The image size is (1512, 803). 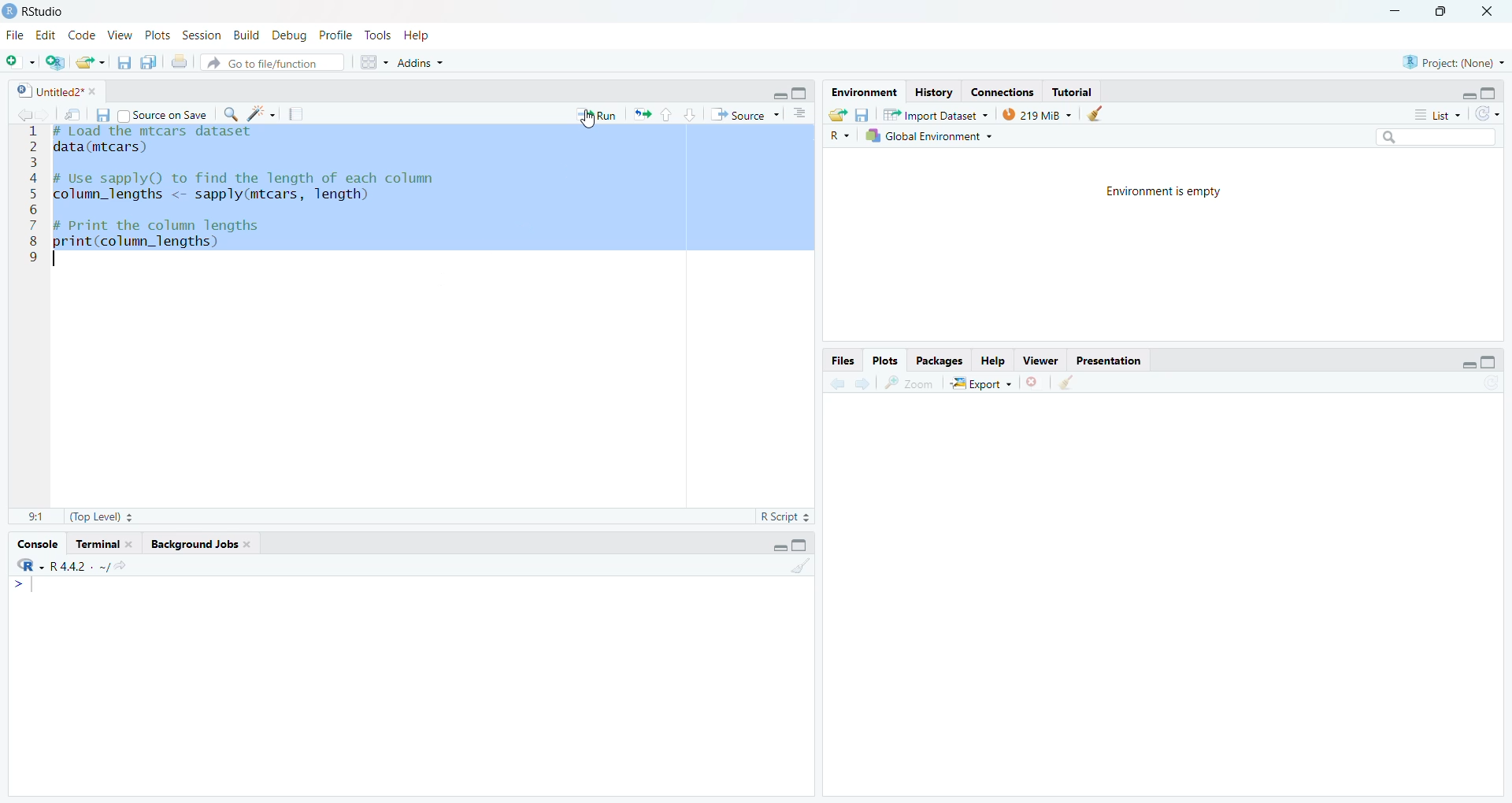 What do you see at coordinates (1035, 382) in the screenshot?
I see `Remove Selected` at bounding box center [1035, 382].